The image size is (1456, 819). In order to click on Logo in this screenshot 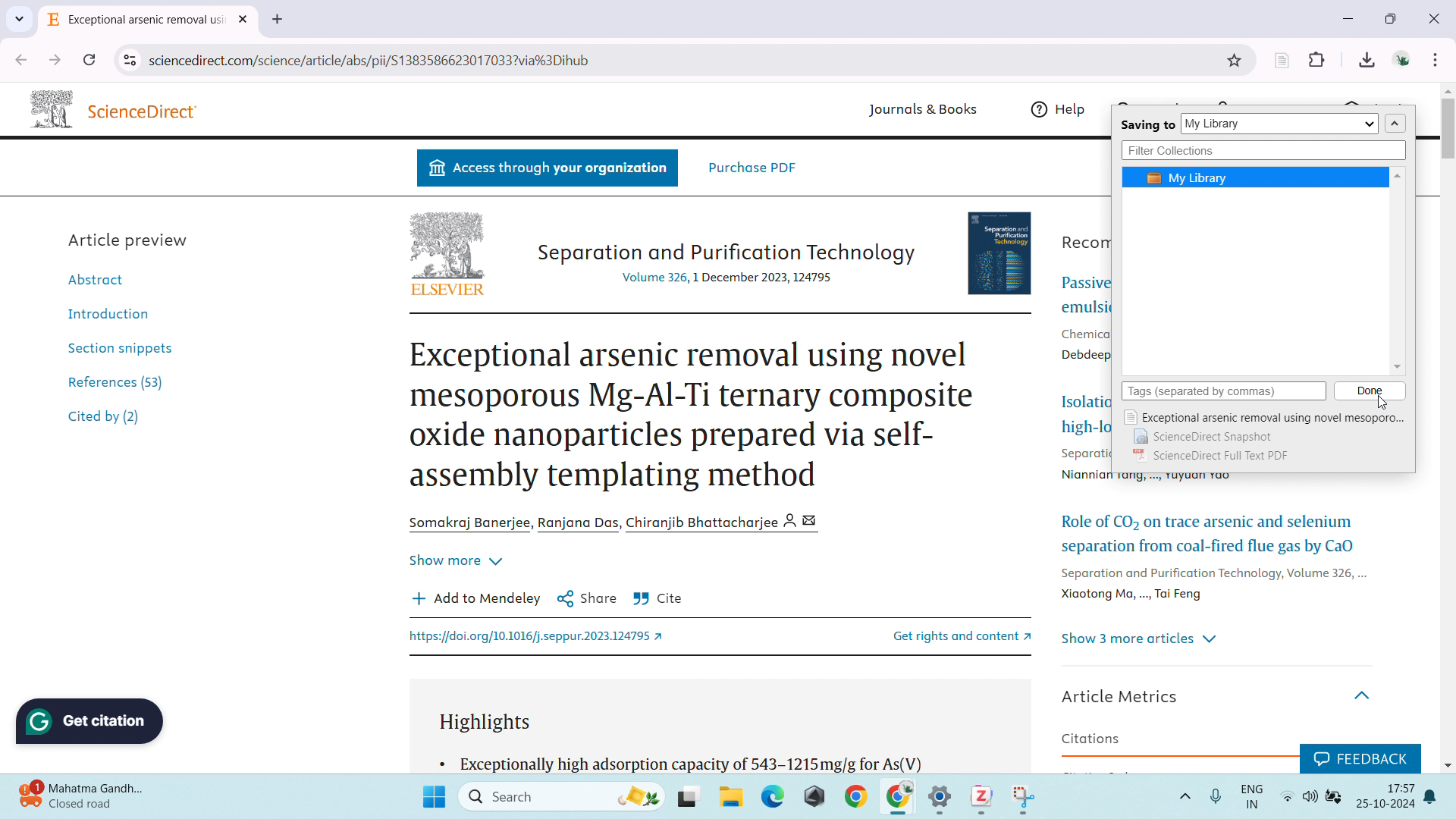, I will do `click(49, 107)`.